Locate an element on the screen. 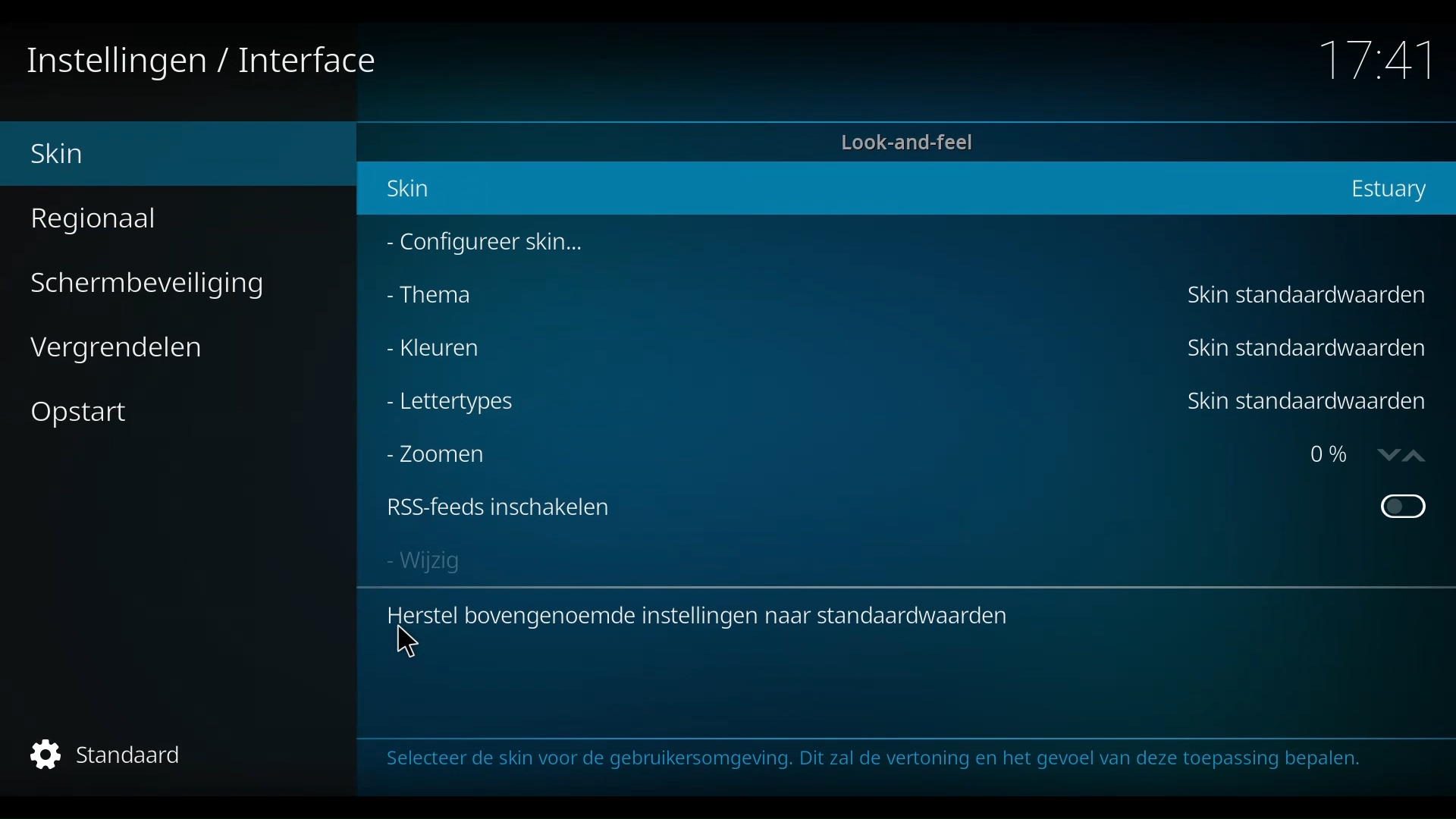 The image size is (1456, 819). Configureer skin is located at coordinates (488, 244).